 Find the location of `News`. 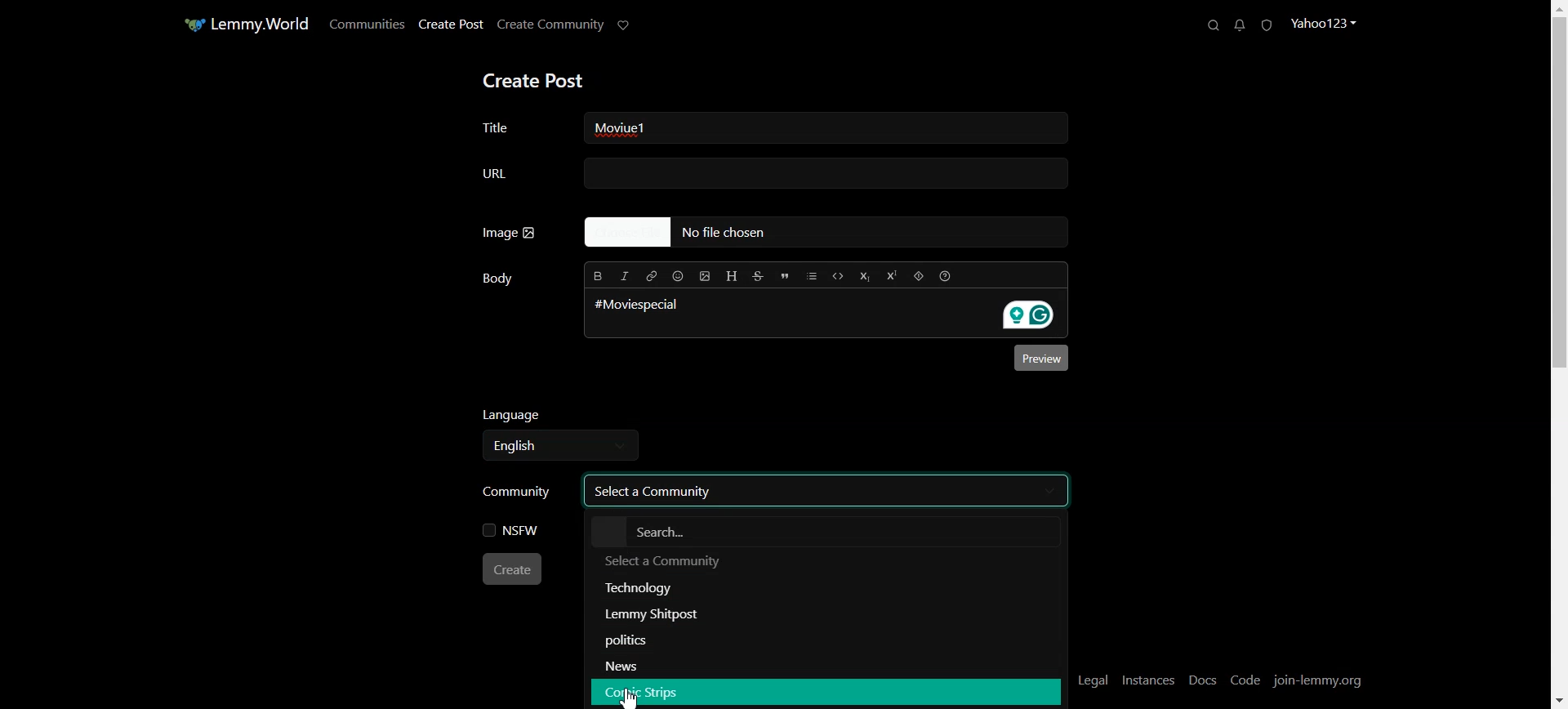

News is located at coordinates (625, 666).